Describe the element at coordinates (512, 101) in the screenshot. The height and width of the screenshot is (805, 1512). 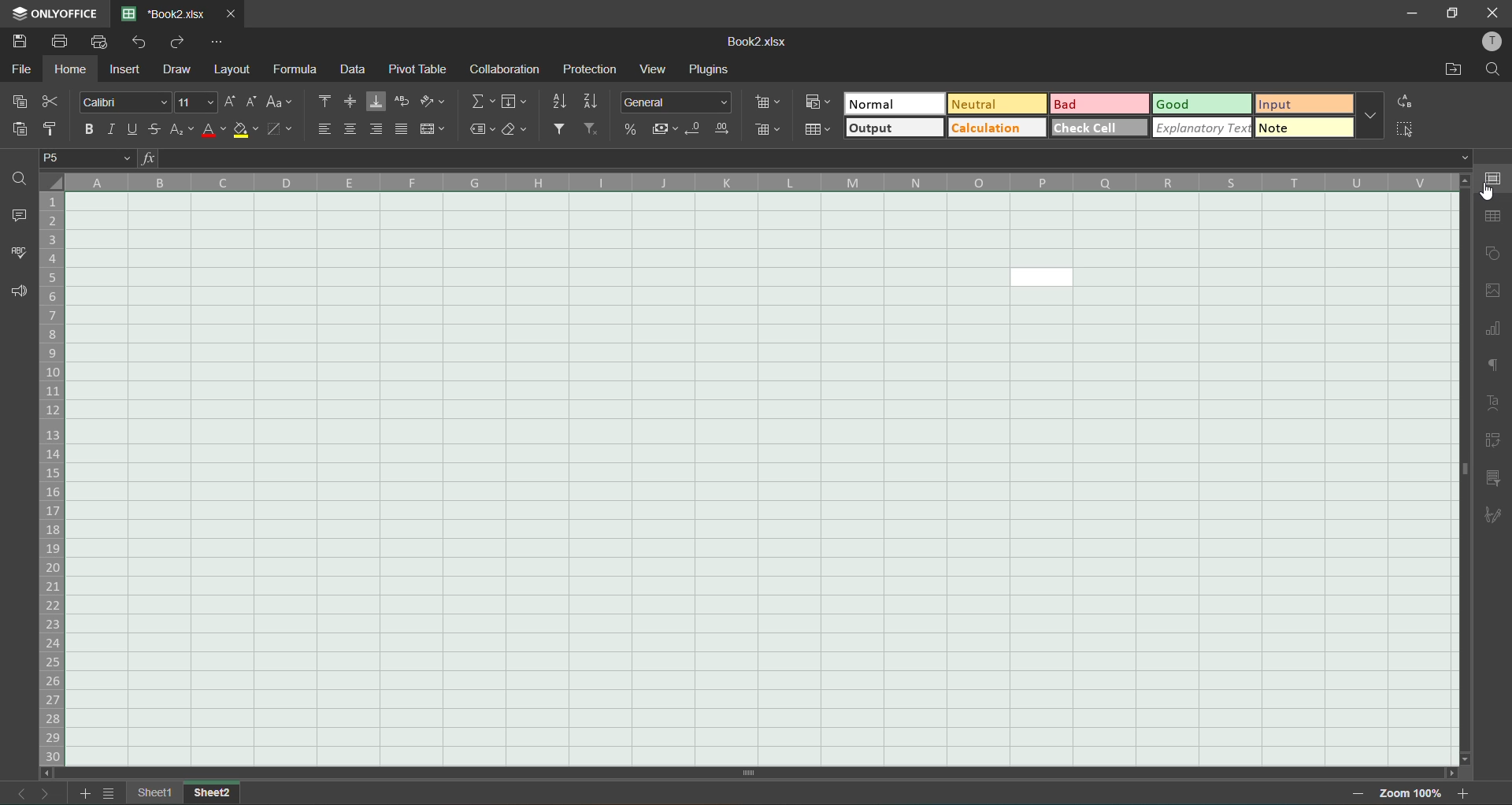
I see `fields` at that location.